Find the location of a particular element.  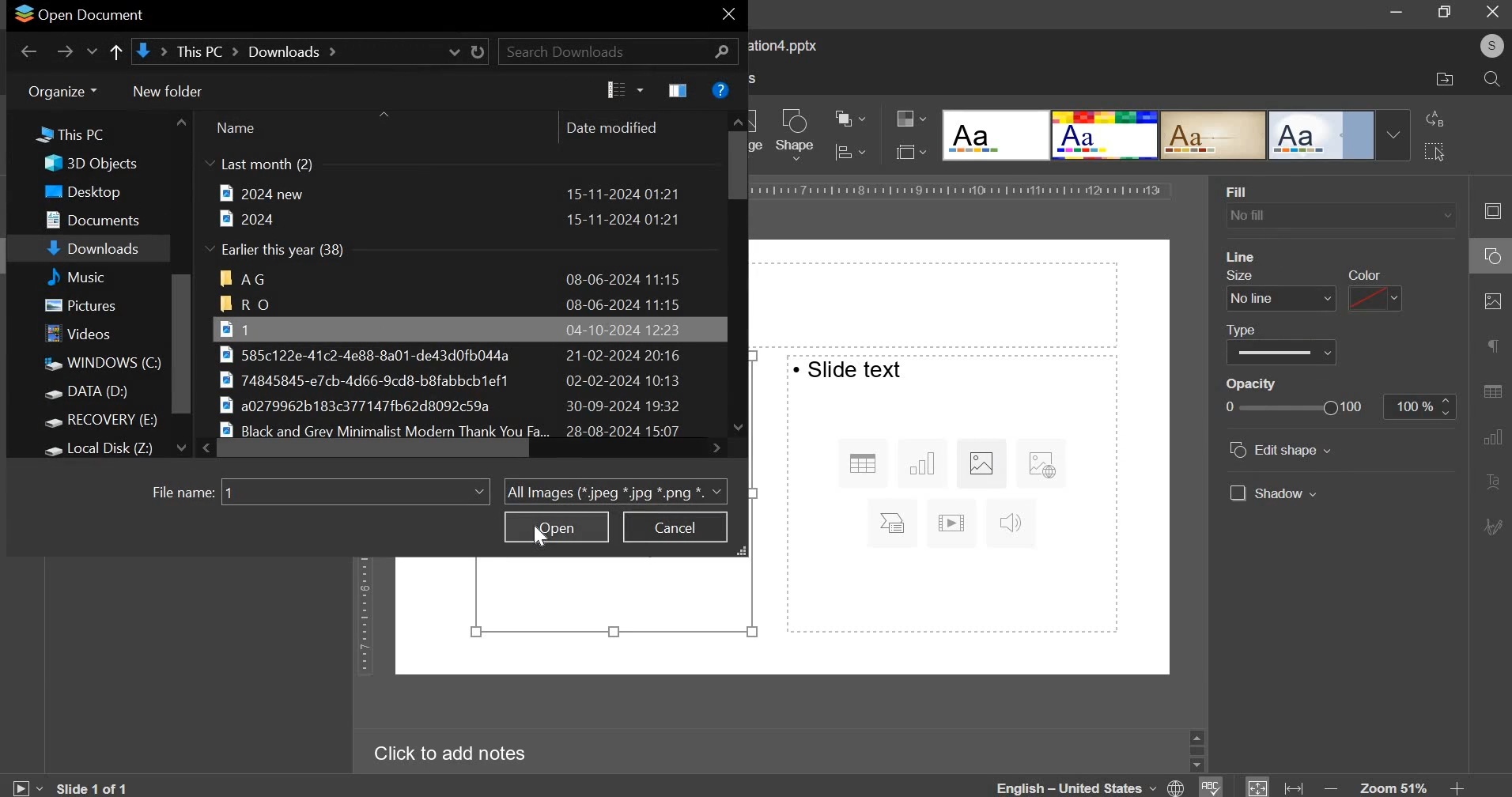

up to is located at coordinates (115, 54).